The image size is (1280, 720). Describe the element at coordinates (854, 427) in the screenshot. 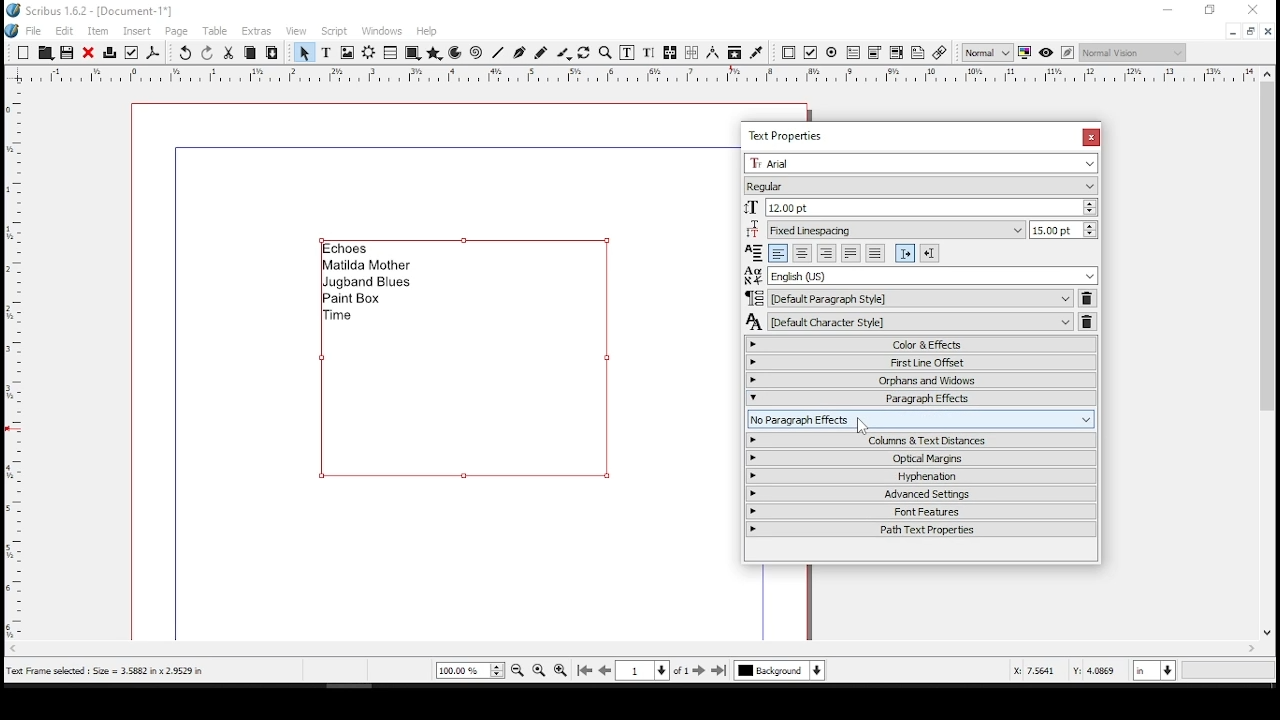

I see `mouse pointer` at that location.